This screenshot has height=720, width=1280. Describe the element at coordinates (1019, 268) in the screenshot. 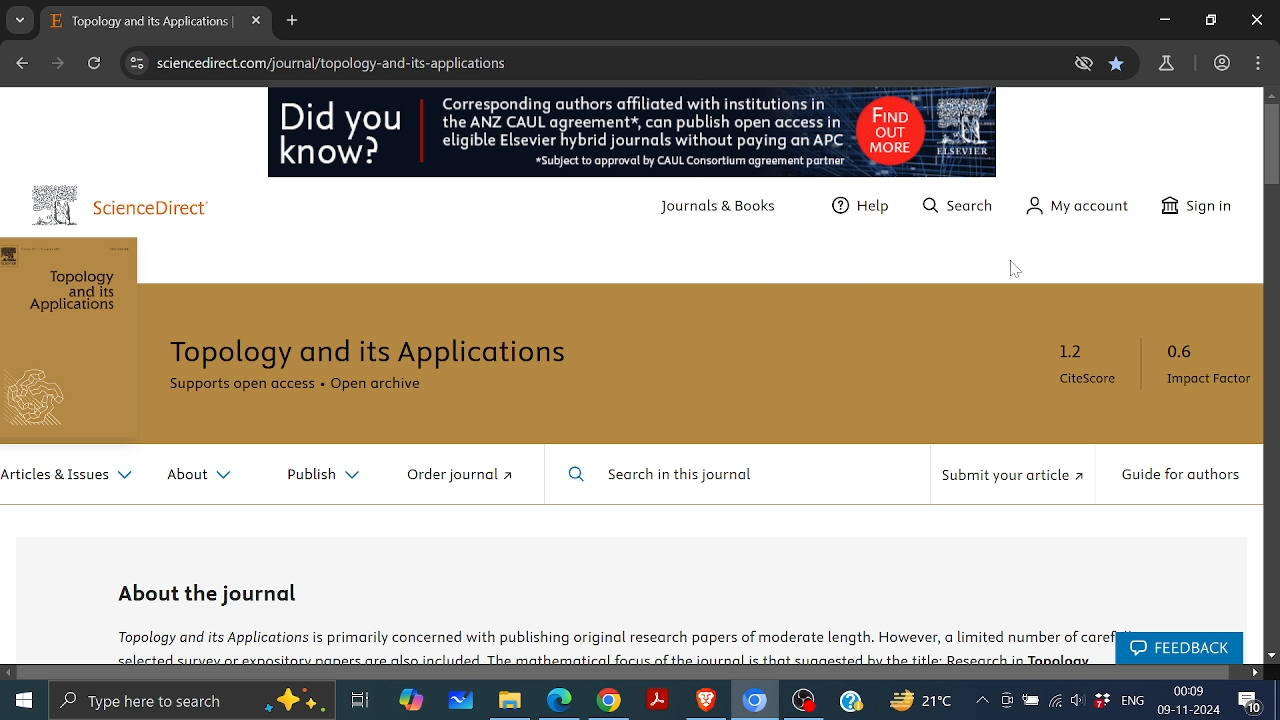

I see `cursor` at that location.